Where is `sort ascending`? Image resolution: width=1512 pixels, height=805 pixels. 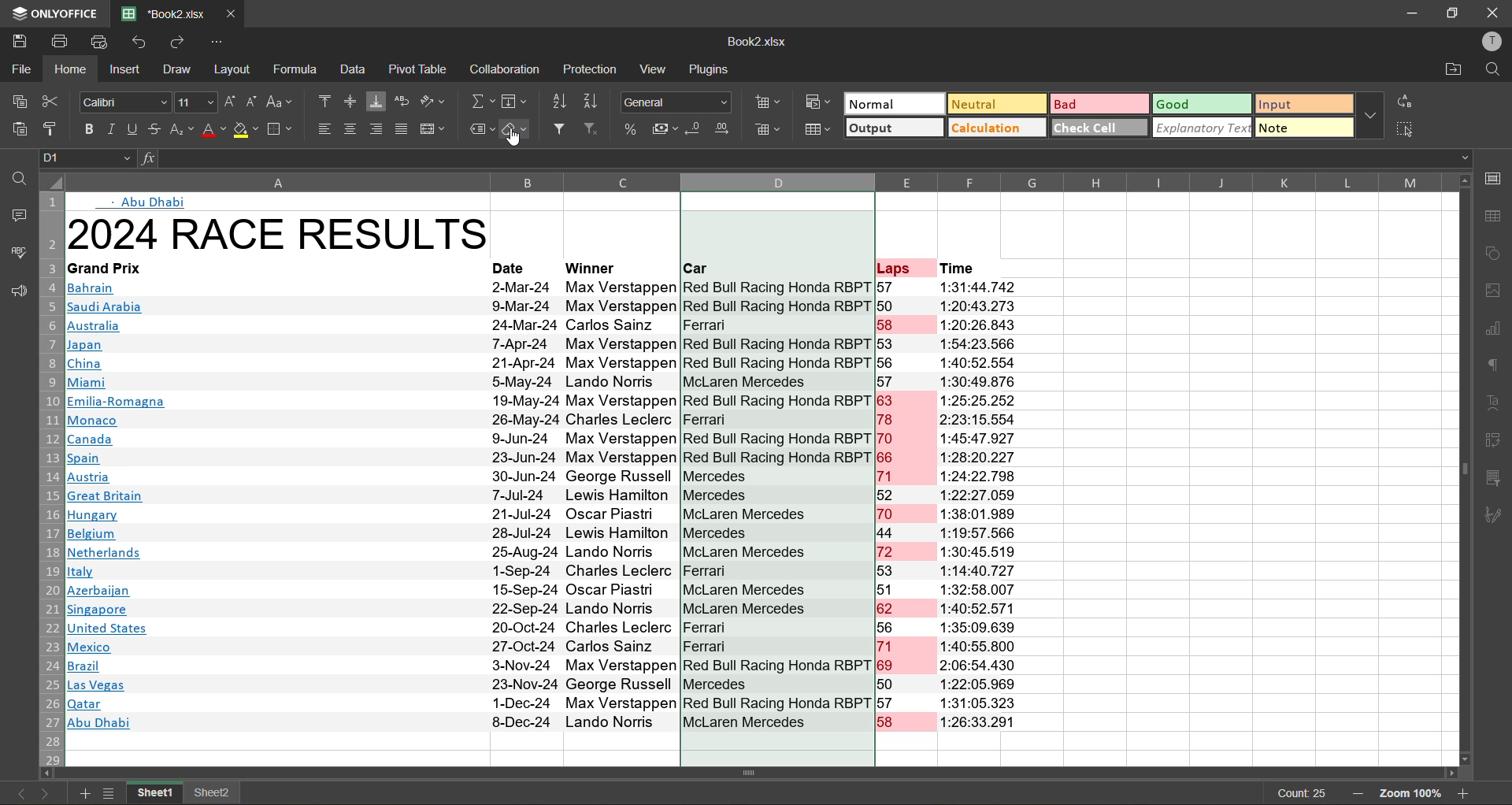 sort ascending is located at coordinates (561, 102).